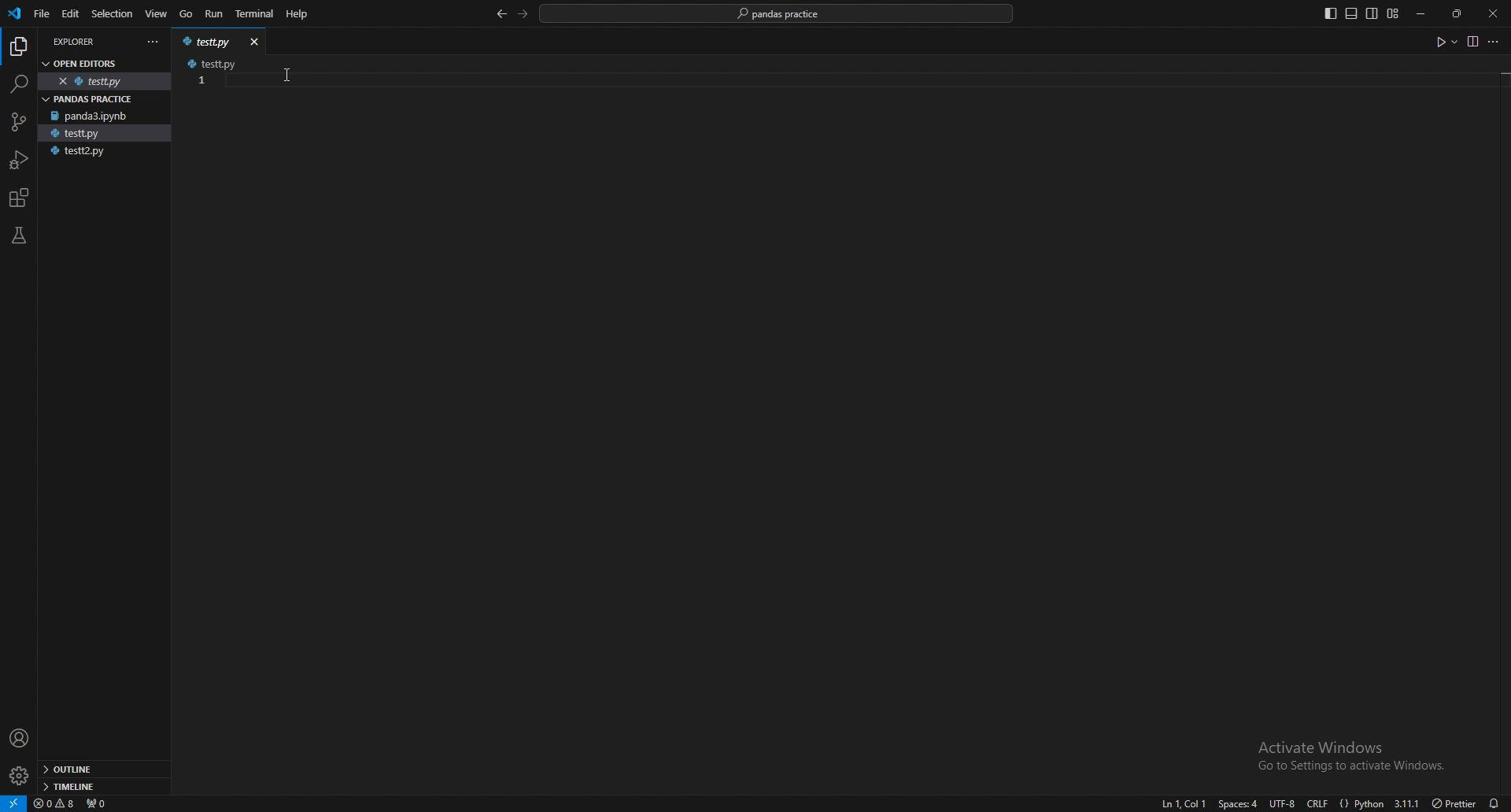 The height and width of the screenshot is (812, 1511). What do you see at coordinates (20, 47) in the screenshot?
I see `explorer` at bounding box center [20, 47].